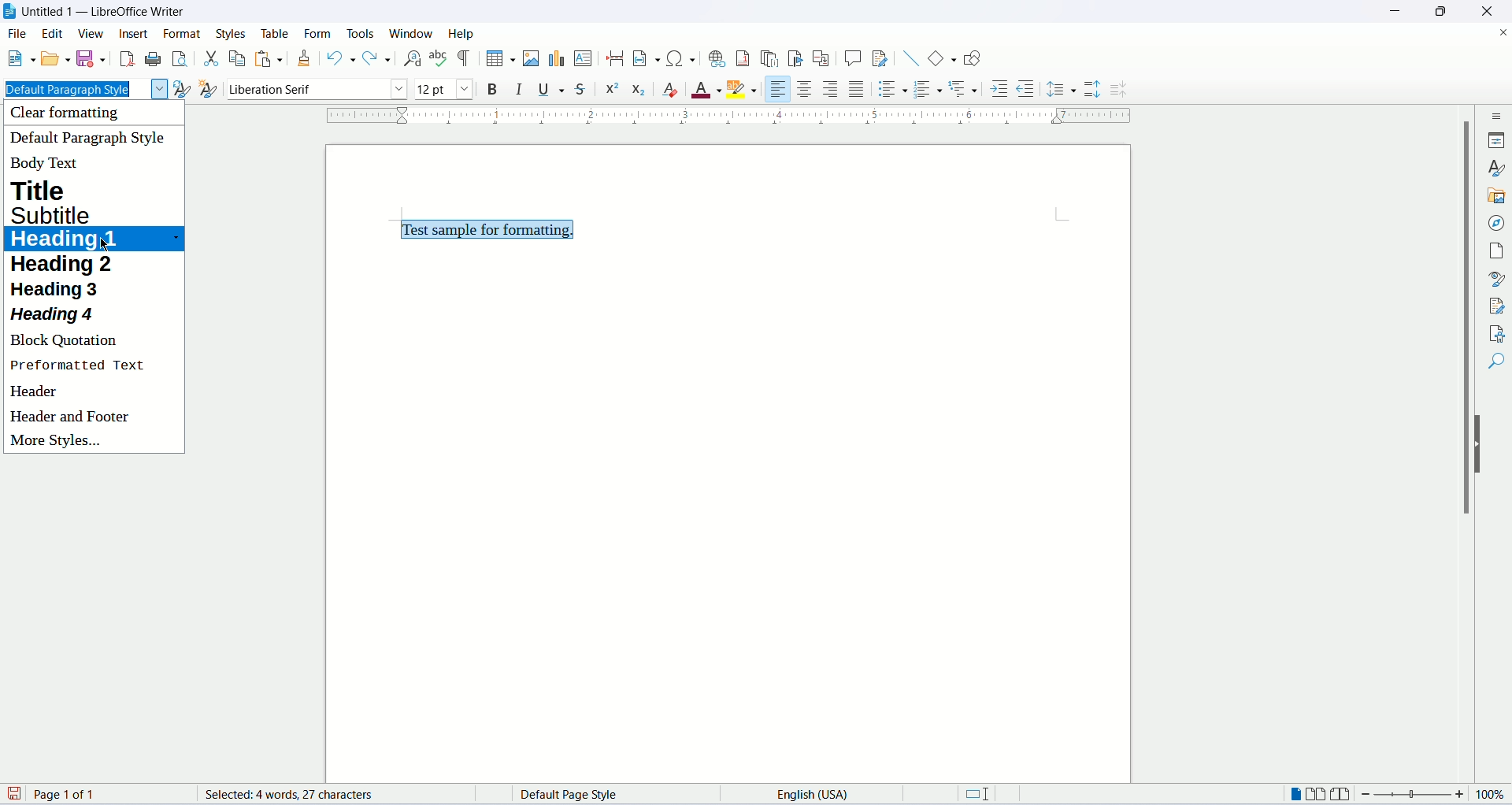 The height and width of the screenshot is (805, 1512). Describe the element at coordinates (779, 87) in the screenshot. I see `align left` at that location.